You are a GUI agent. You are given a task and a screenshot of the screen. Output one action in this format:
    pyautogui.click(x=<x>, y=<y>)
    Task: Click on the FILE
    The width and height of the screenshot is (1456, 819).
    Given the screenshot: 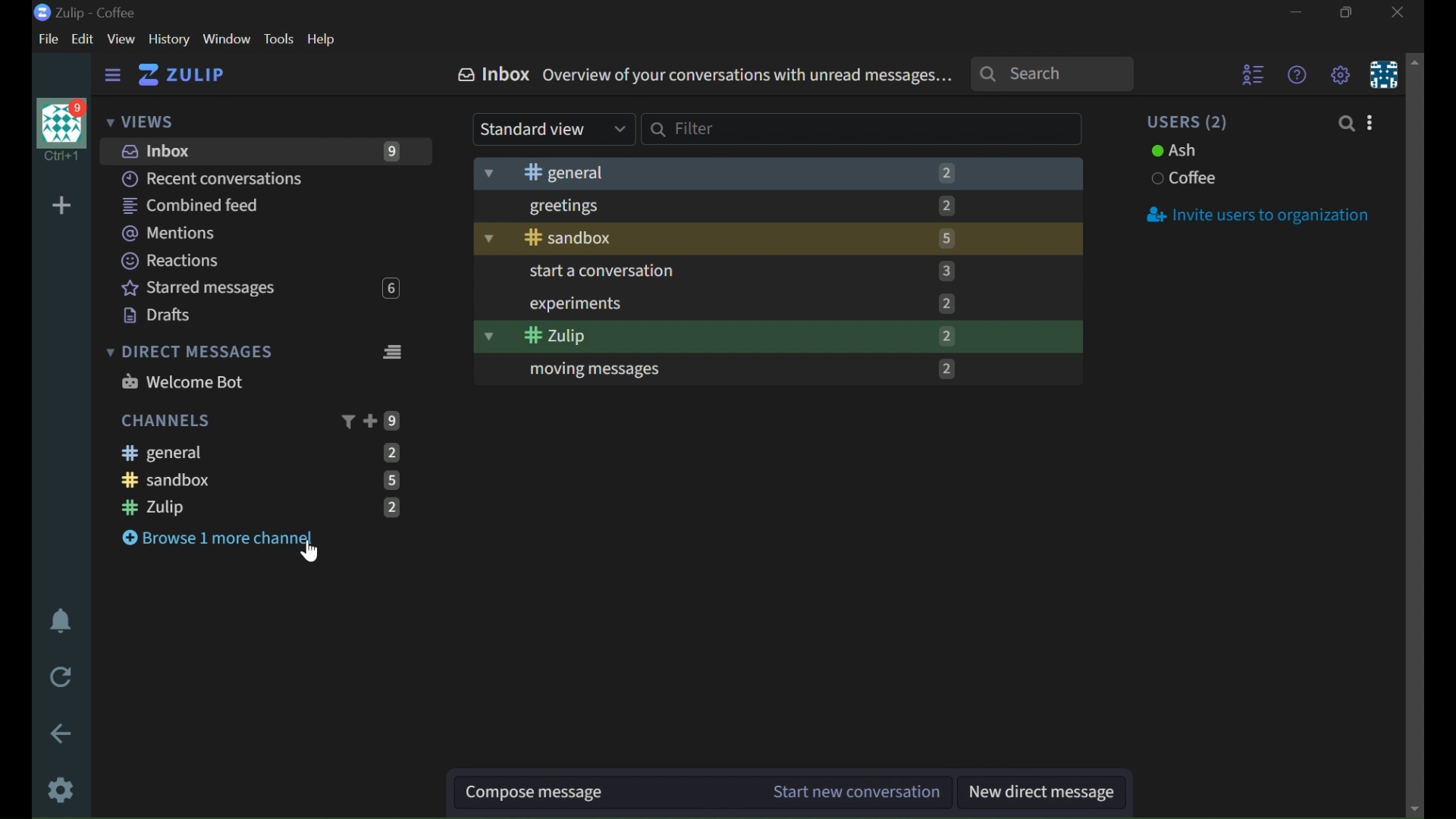 What is the action you would take?
    pyautogui.click(x=45, y=39)
    